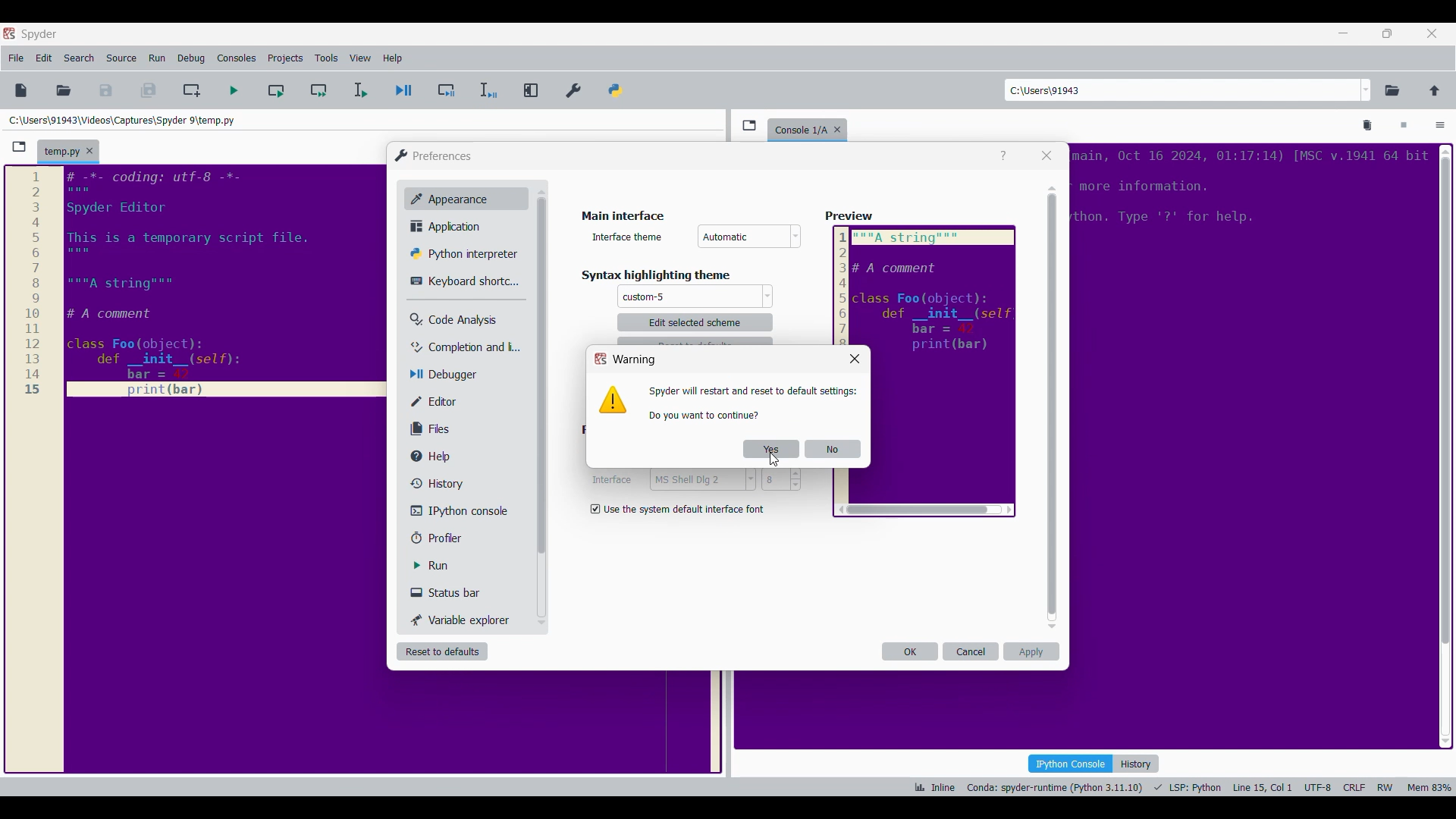  I want to click on Open, so click(64, 90).